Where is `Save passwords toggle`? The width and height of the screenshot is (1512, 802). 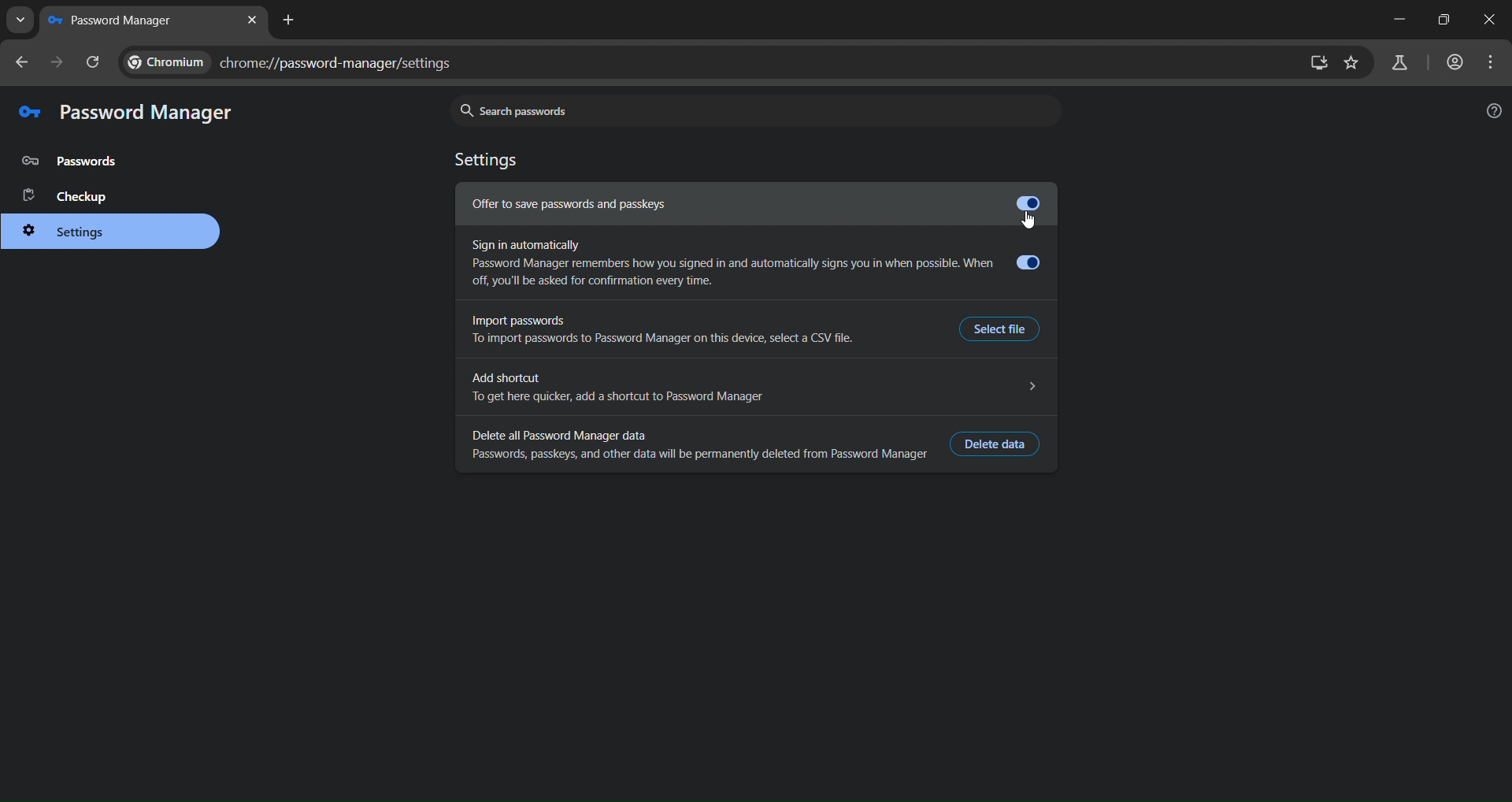
Save passwords toggle is located at coordinates (1029, 202).